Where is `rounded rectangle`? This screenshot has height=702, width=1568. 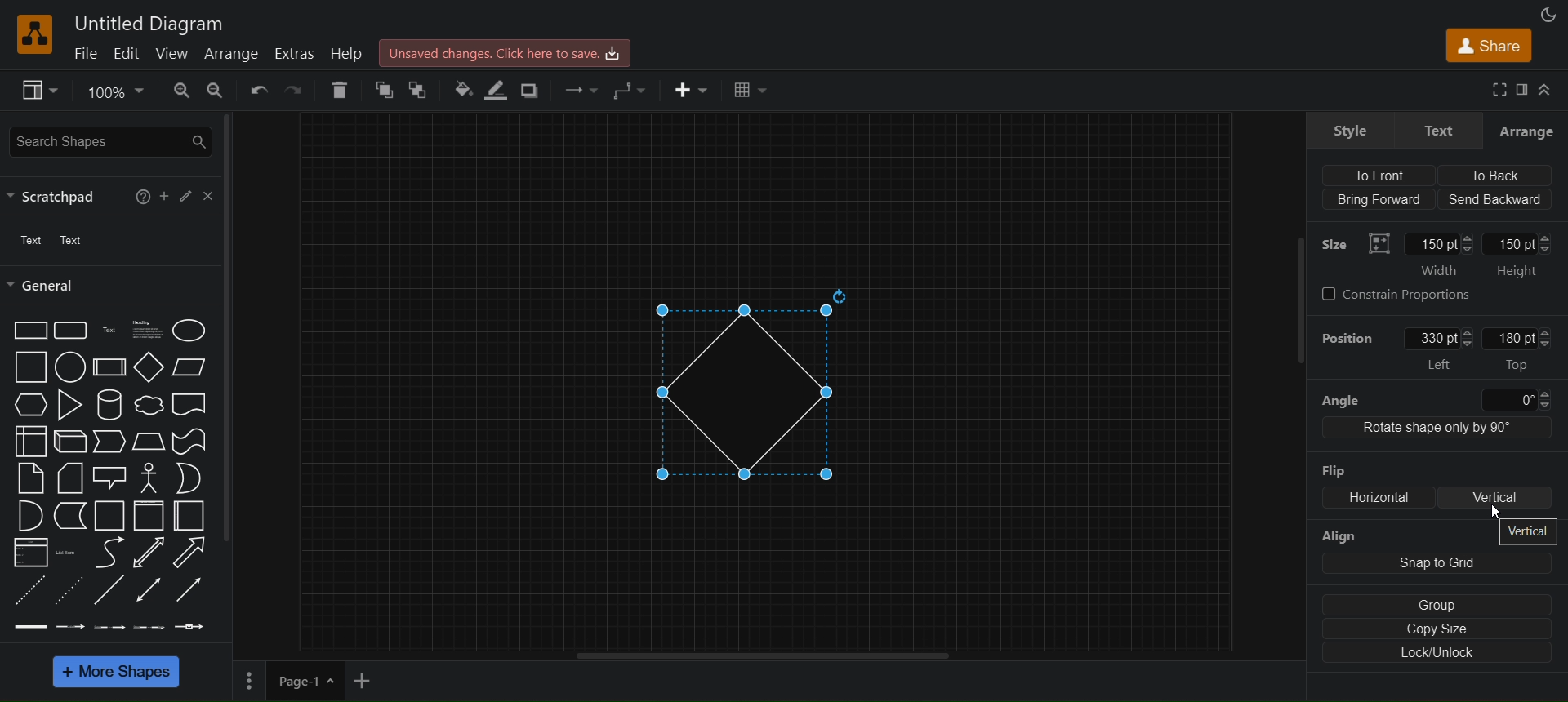 rounded rectangle is located at coordinates (70, 331).